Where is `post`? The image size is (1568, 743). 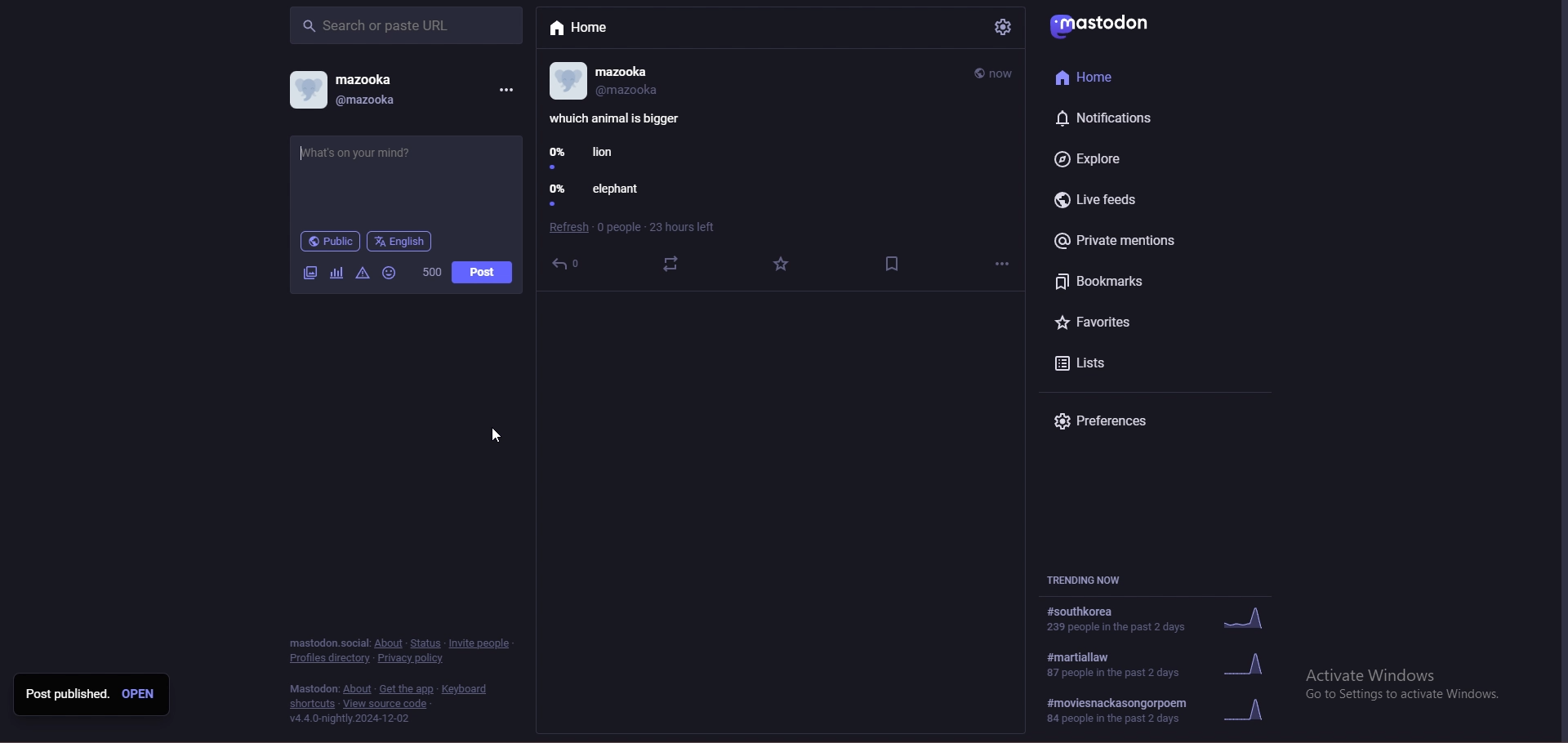
post is located at coordinates (370, 151).